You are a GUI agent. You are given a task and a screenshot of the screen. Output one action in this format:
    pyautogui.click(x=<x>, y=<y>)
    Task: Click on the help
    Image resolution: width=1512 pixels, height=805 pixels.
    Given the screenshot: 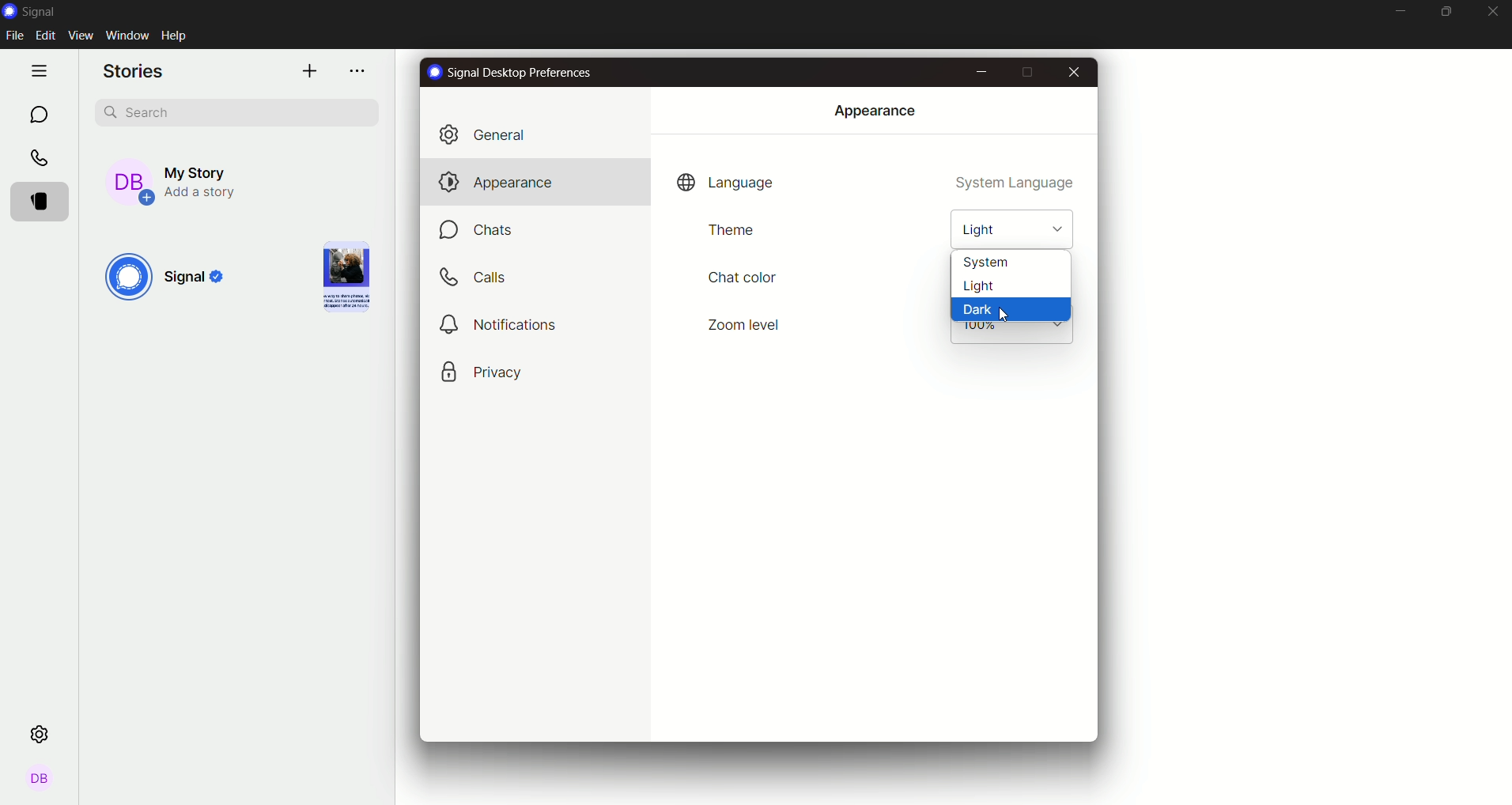 What is the action you would take?
    pyautogui.click(x=178, y=35)
    